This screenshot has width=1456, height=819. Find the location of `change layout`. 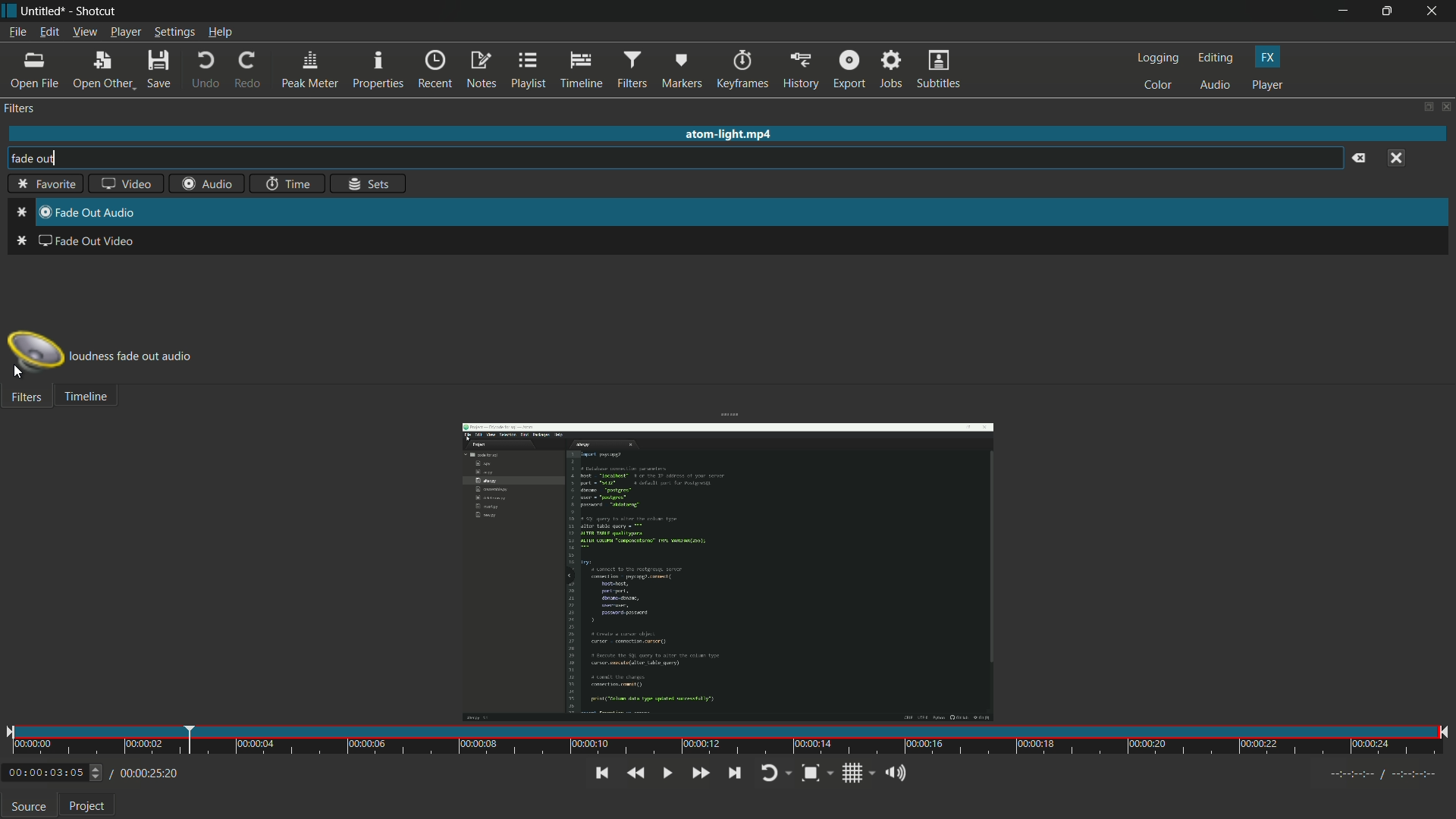

change layout is located at coordinates (1426, 108).